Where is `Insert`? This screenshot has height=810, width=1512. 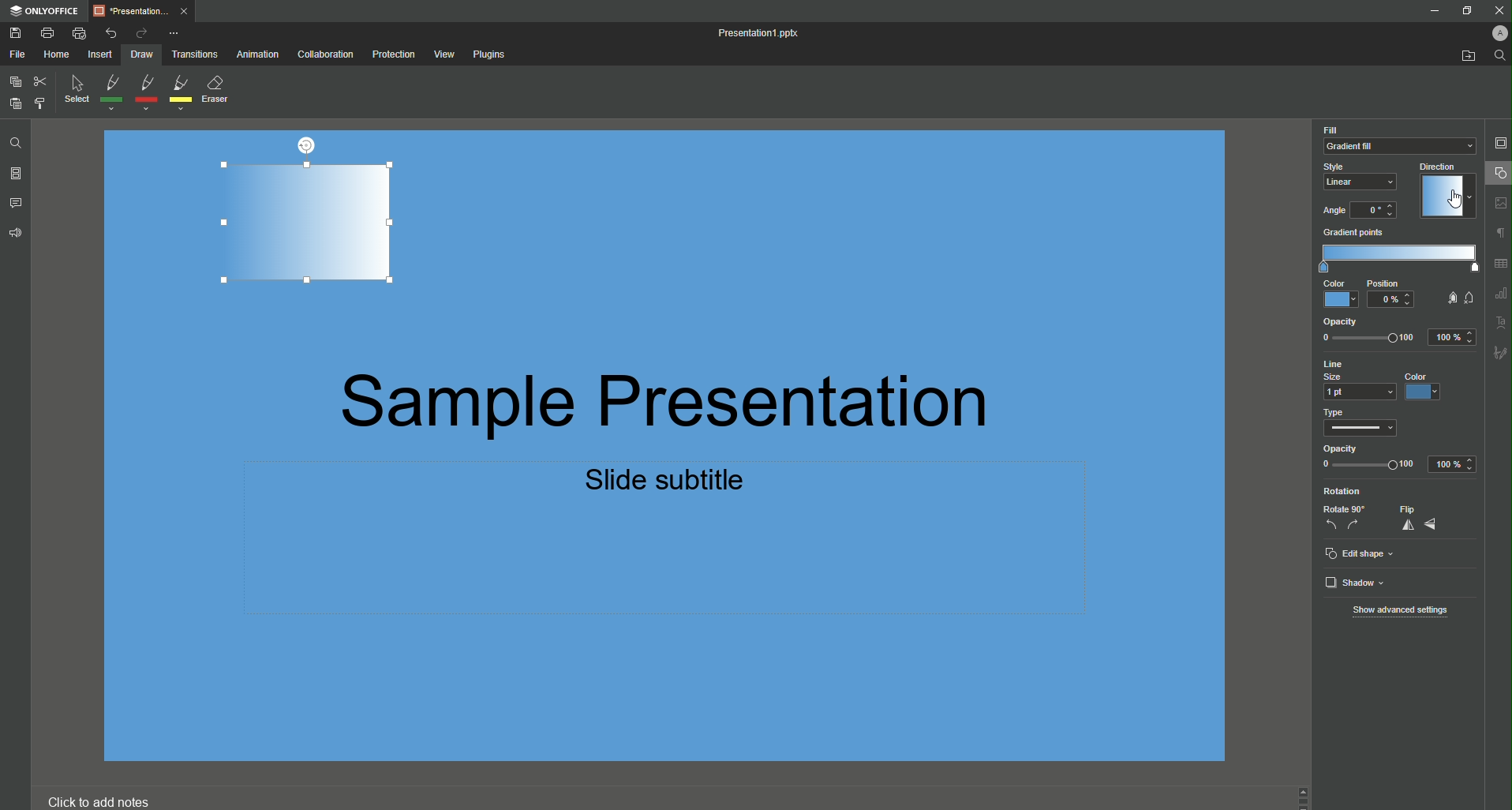
Insert is located at coordinates (99, 55).